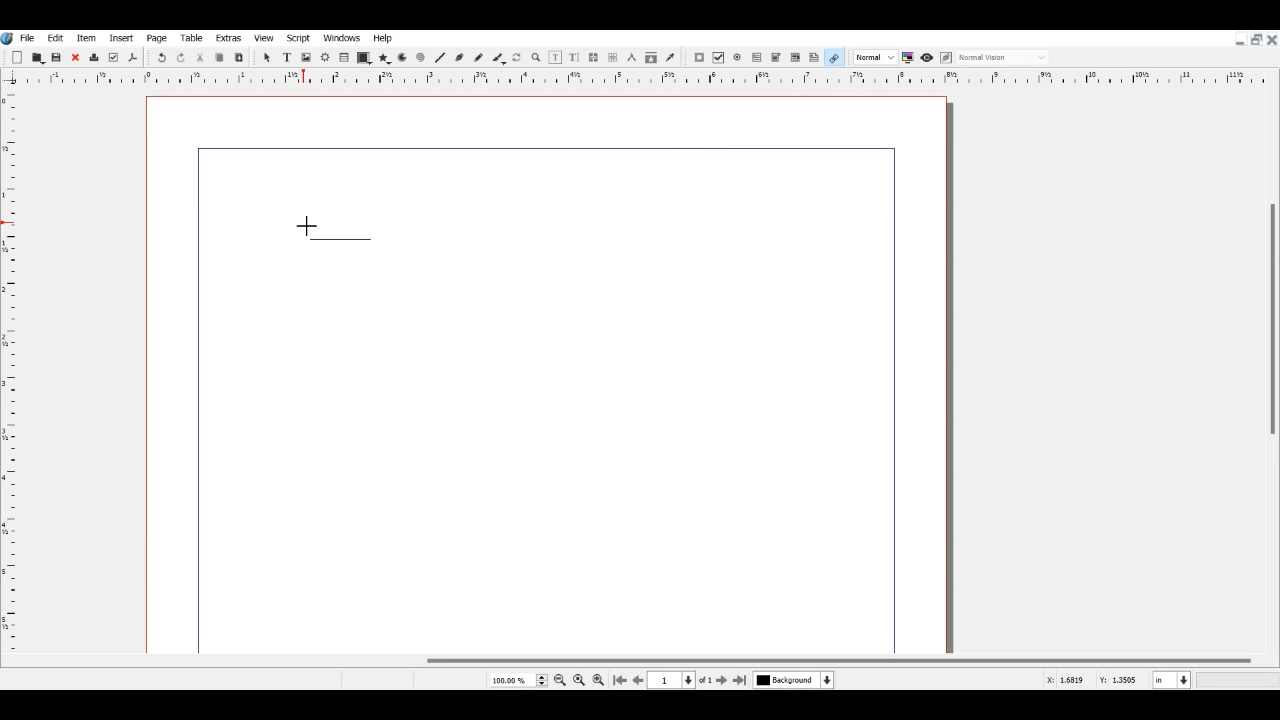 This screenshot has height=720, width=1280. What do you see at coordinates (200, 57) in the screenshot?
I see `Cut` at bounding box center [200, 57].